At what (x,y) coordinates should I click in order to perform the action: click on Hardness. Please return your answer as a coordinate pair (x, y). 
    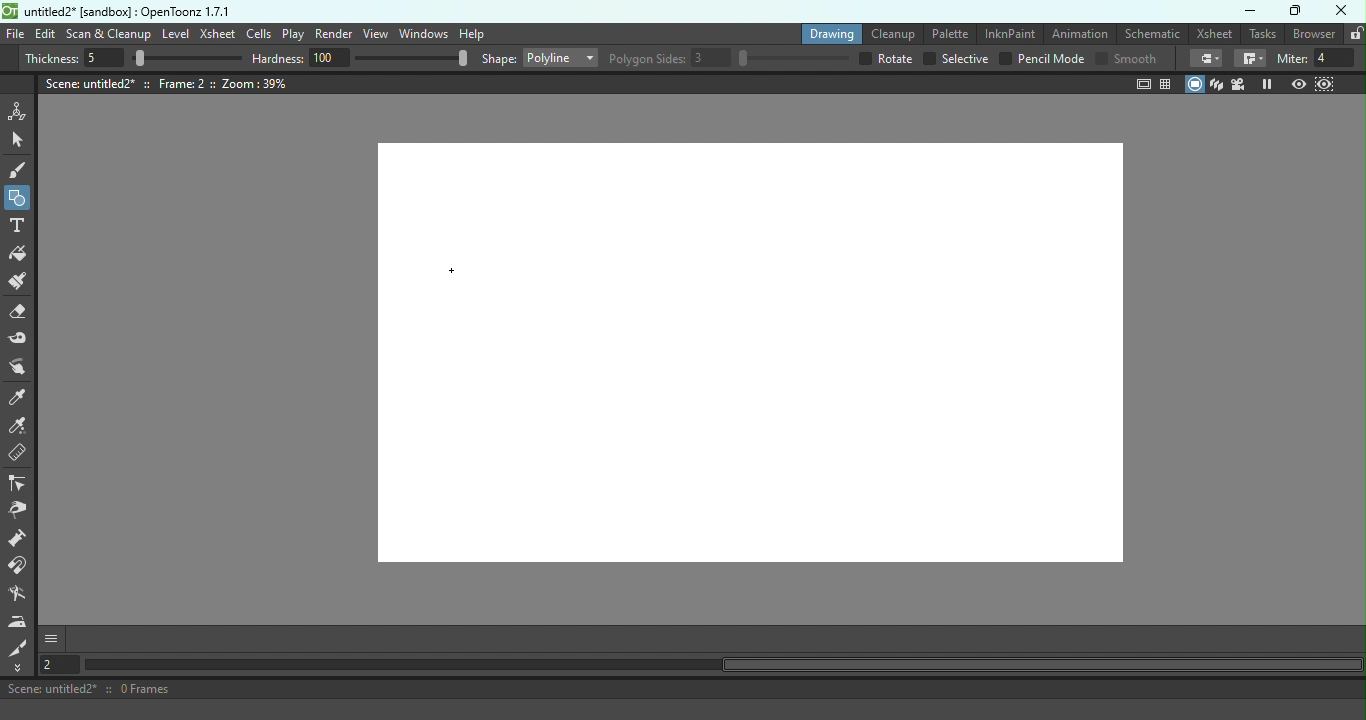
    Looking at the image, I should click on (361, 59).